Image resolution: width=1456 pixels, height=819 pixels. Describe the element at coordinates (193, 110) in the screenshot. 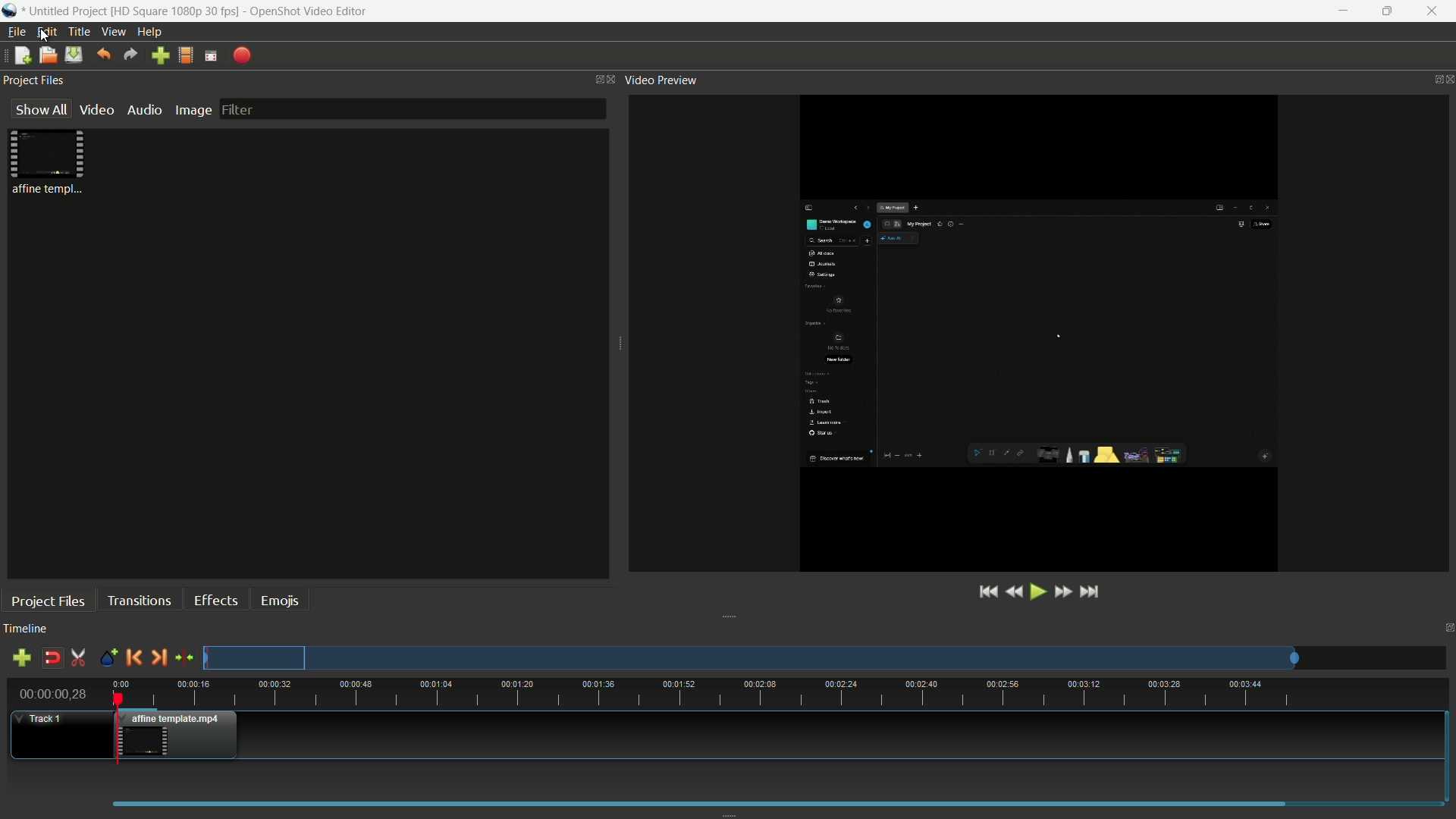

I see `image` at that location.